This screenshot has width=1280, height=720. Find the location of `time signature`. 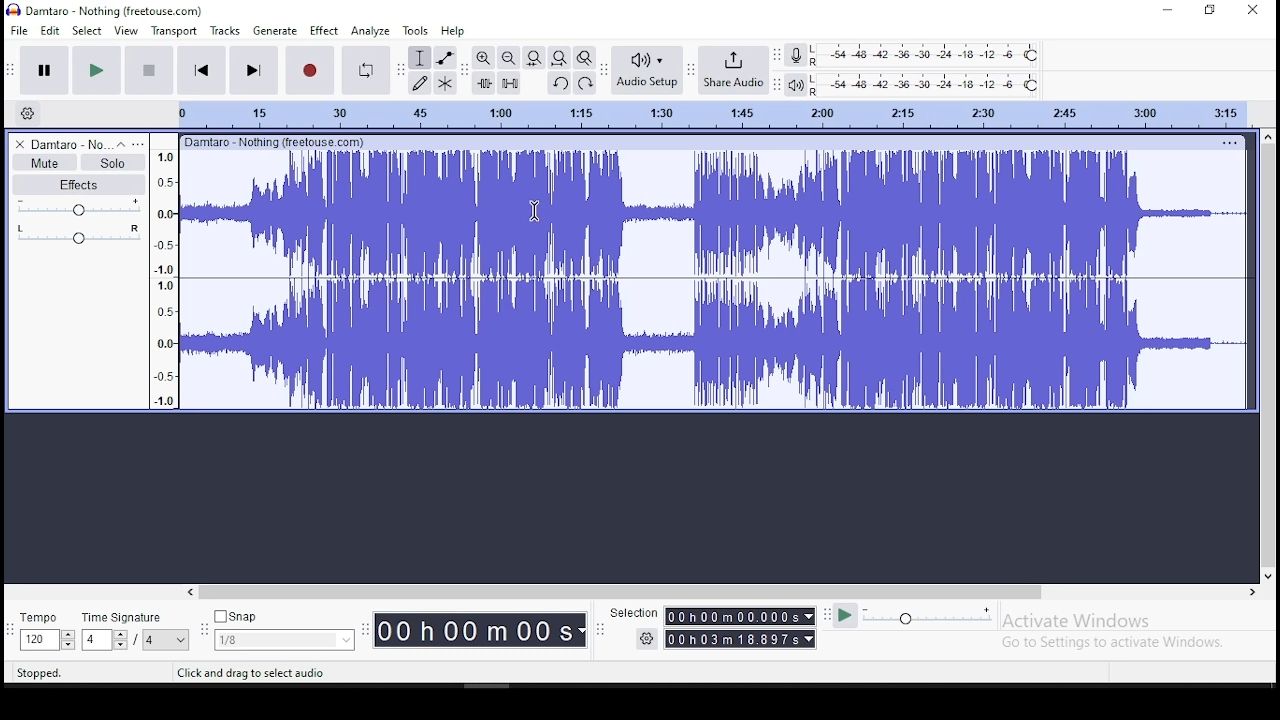

time signature is located at coordinates (136, 628).